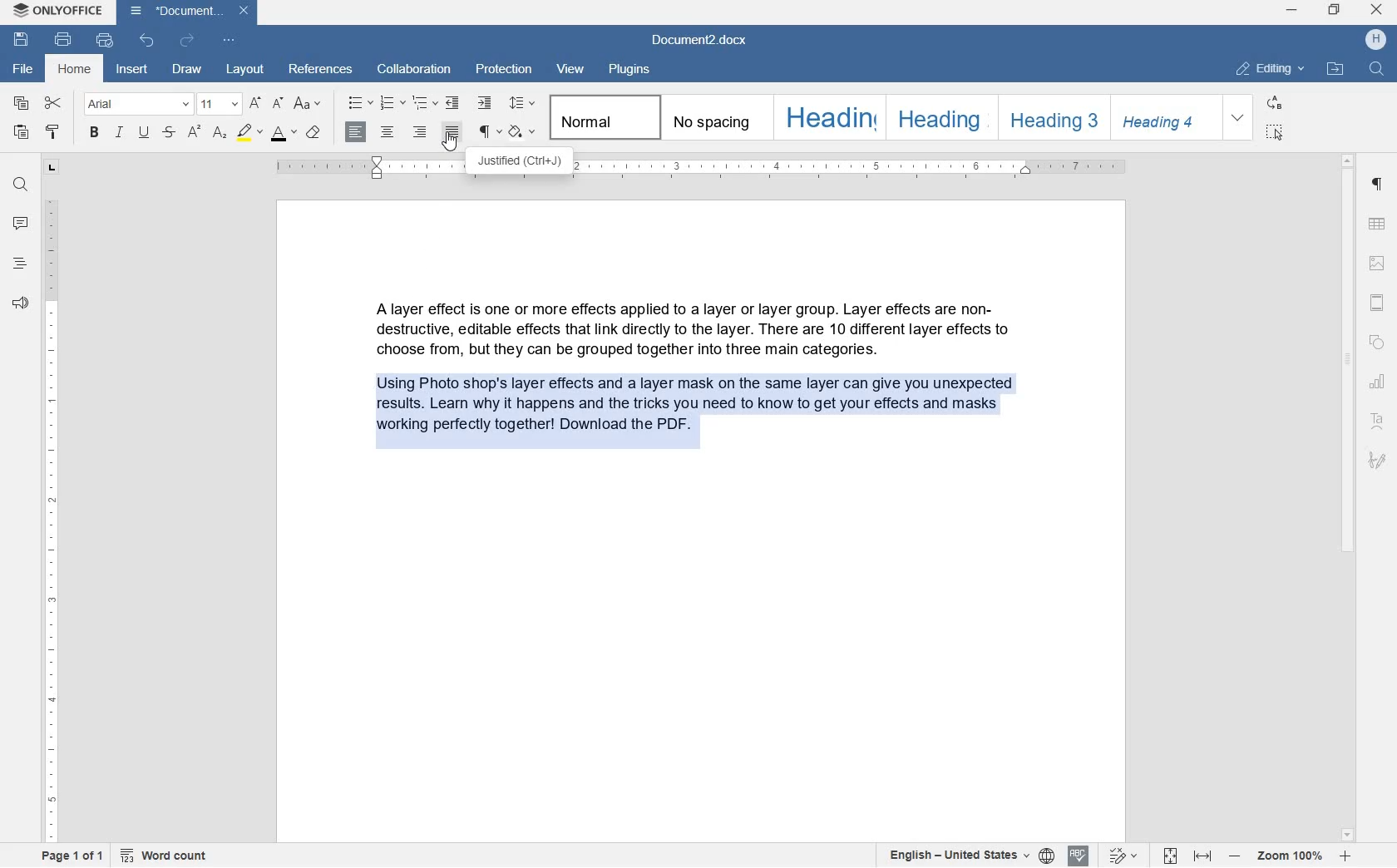 The image size is (1397, 868). What do you see at coordinates (190, 70) in the screenshot?
I see `DRAW` at bounding box center [190, 70].